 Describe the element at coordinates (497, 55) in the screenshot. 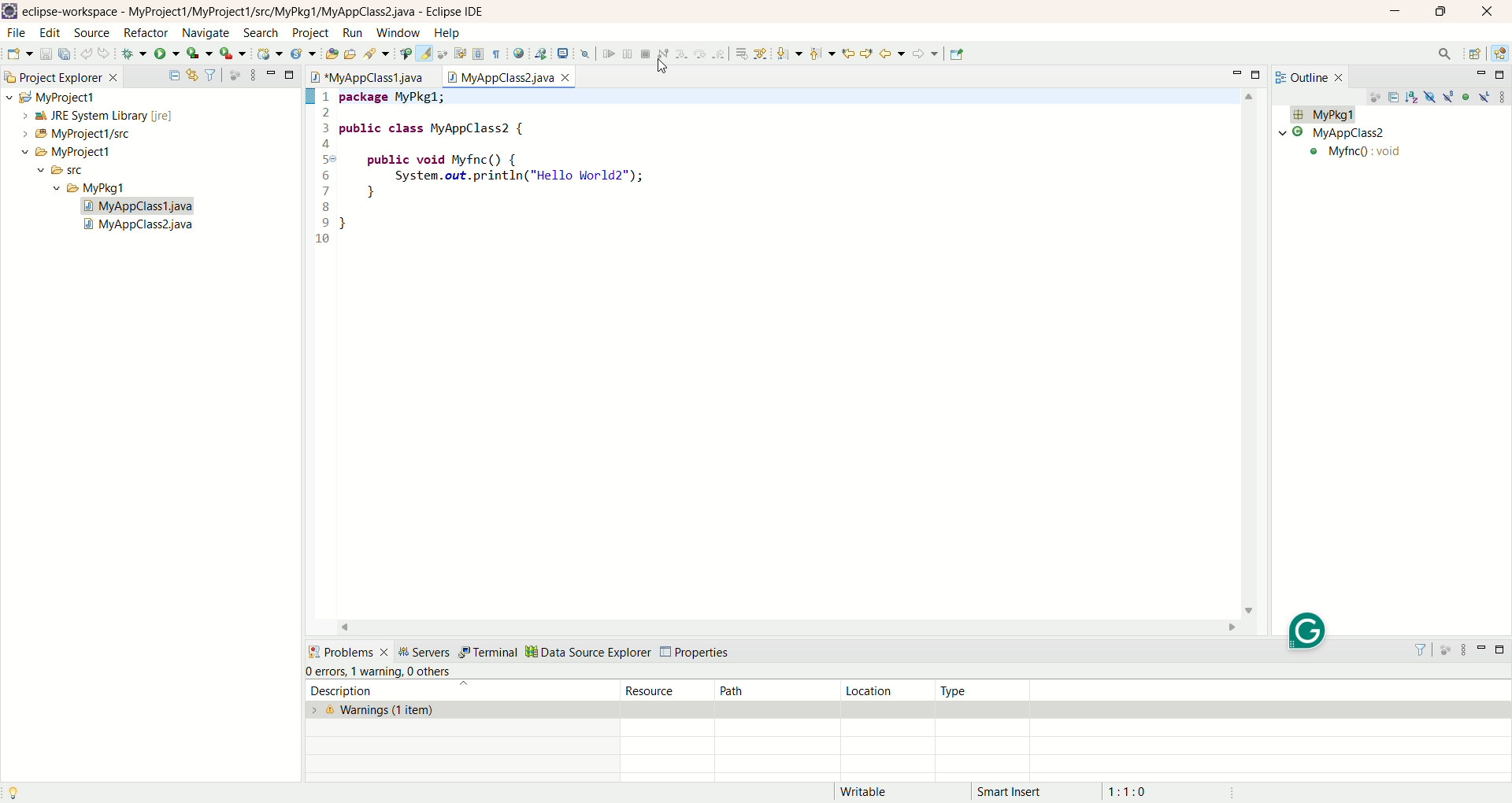

I see `show whitespace character` at that location.